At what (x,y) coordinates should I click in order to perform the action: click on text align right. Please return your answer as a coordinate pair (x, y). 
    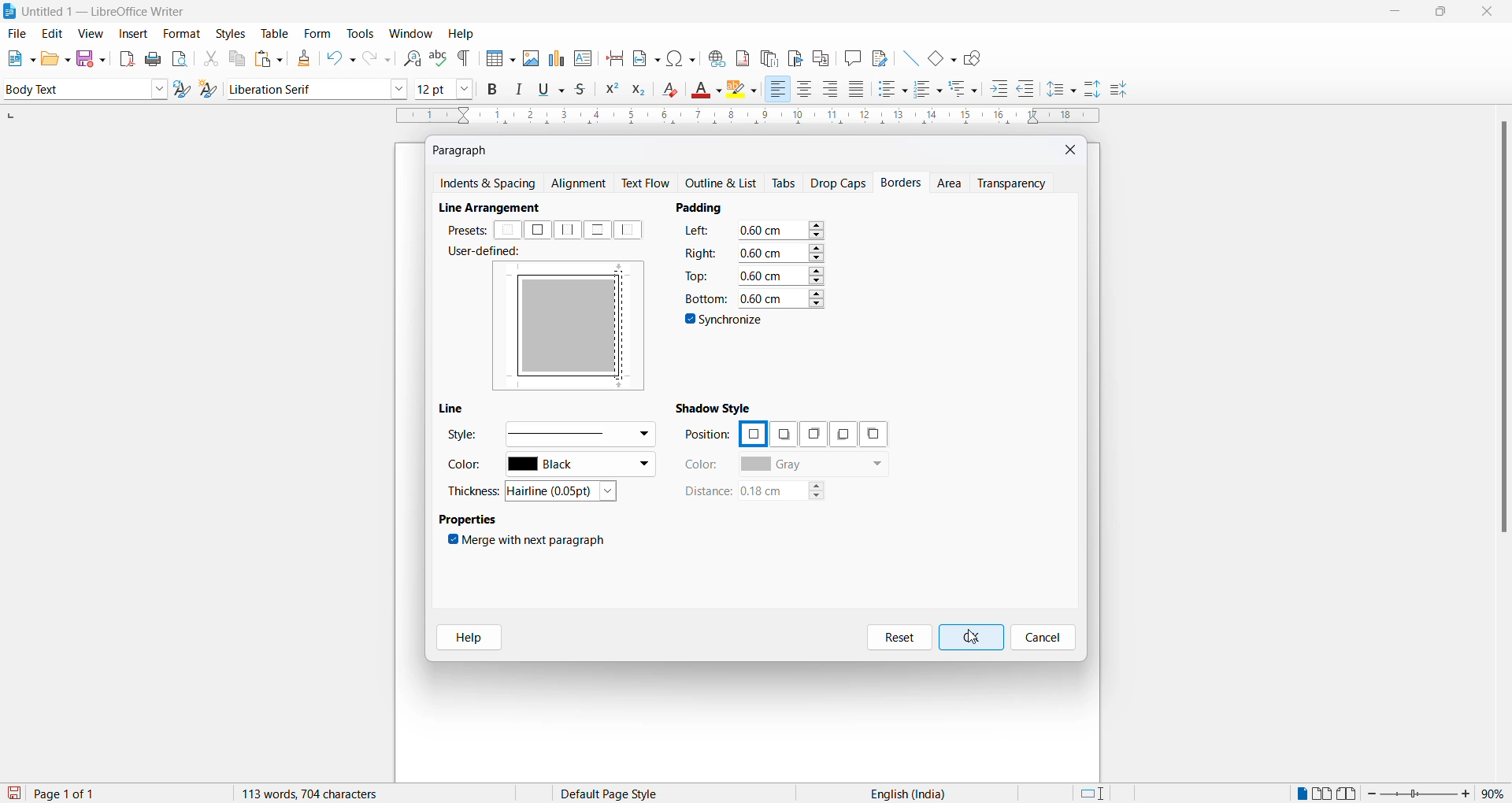
    Looking at the image, I should click on (777, 90).